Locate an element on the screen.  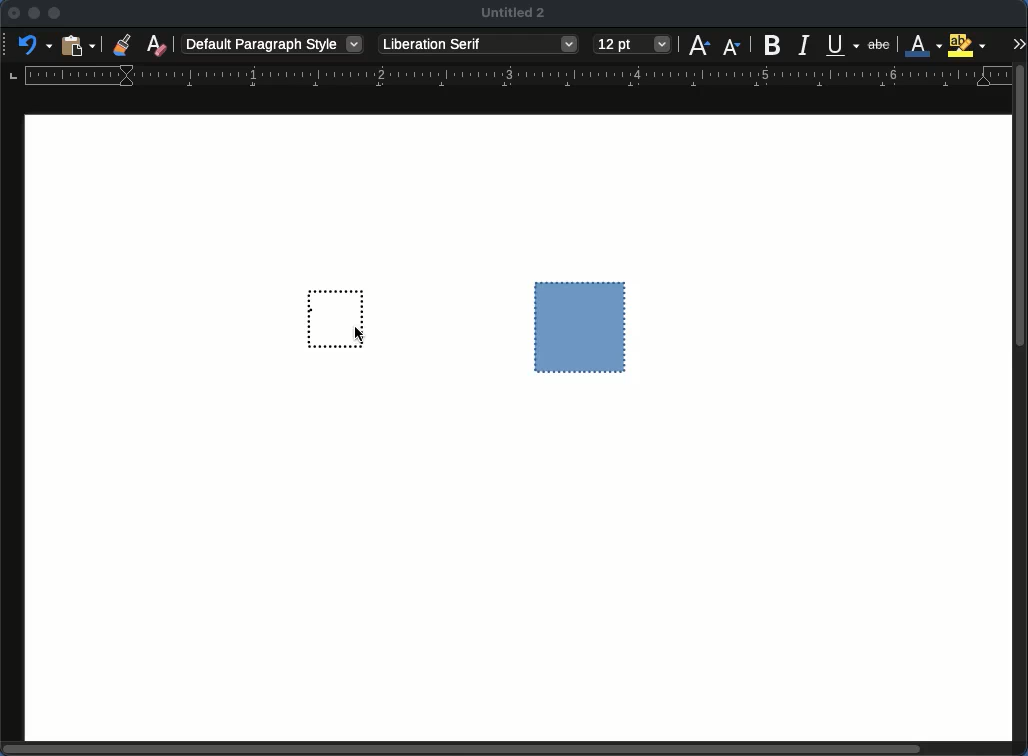
expand is located at coordinates (1018, 44).